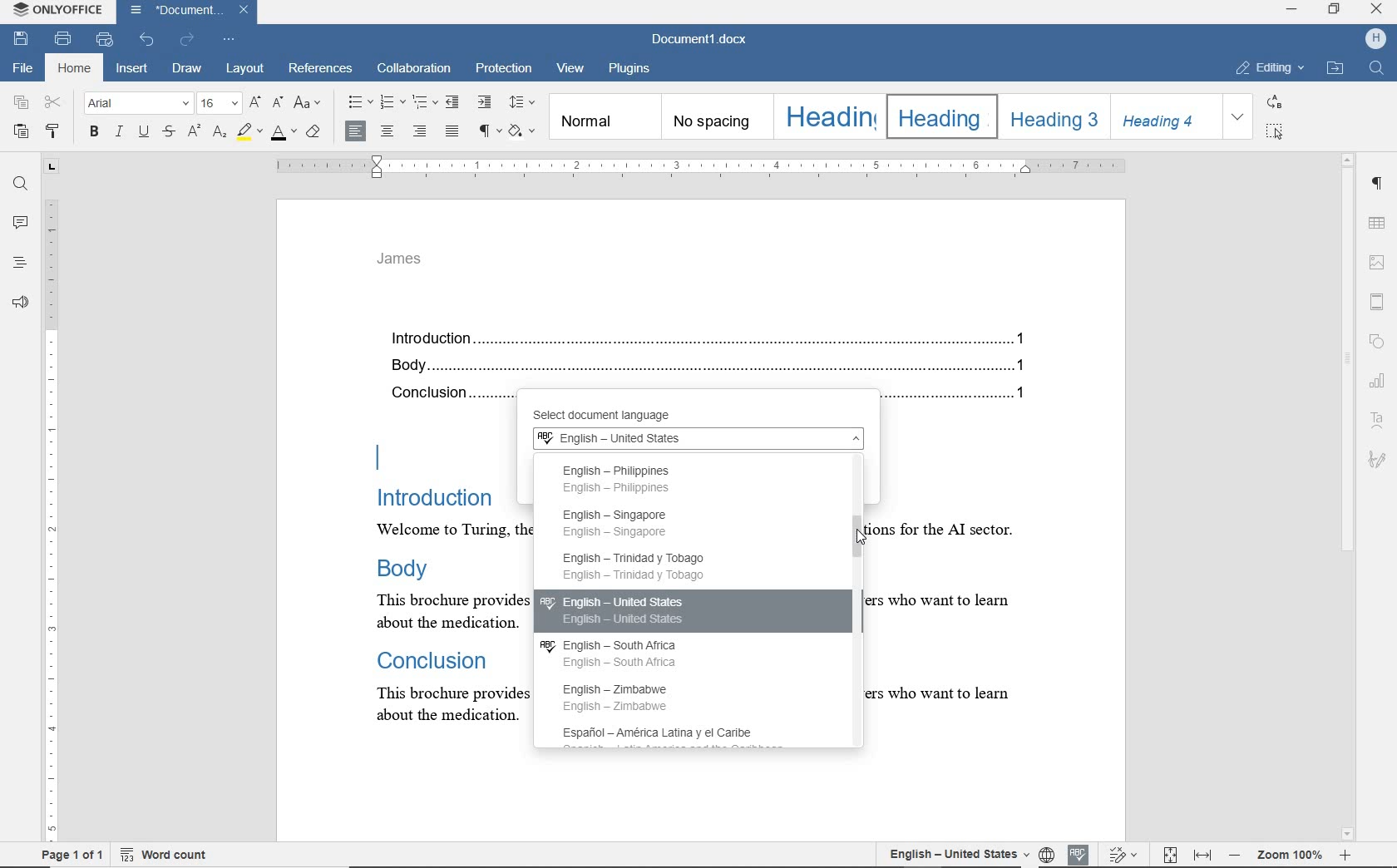 This screenshot has width=1397, height=868. Describe the element at coordinates (525, 131) in the screenshot. I see `shading` at that location.